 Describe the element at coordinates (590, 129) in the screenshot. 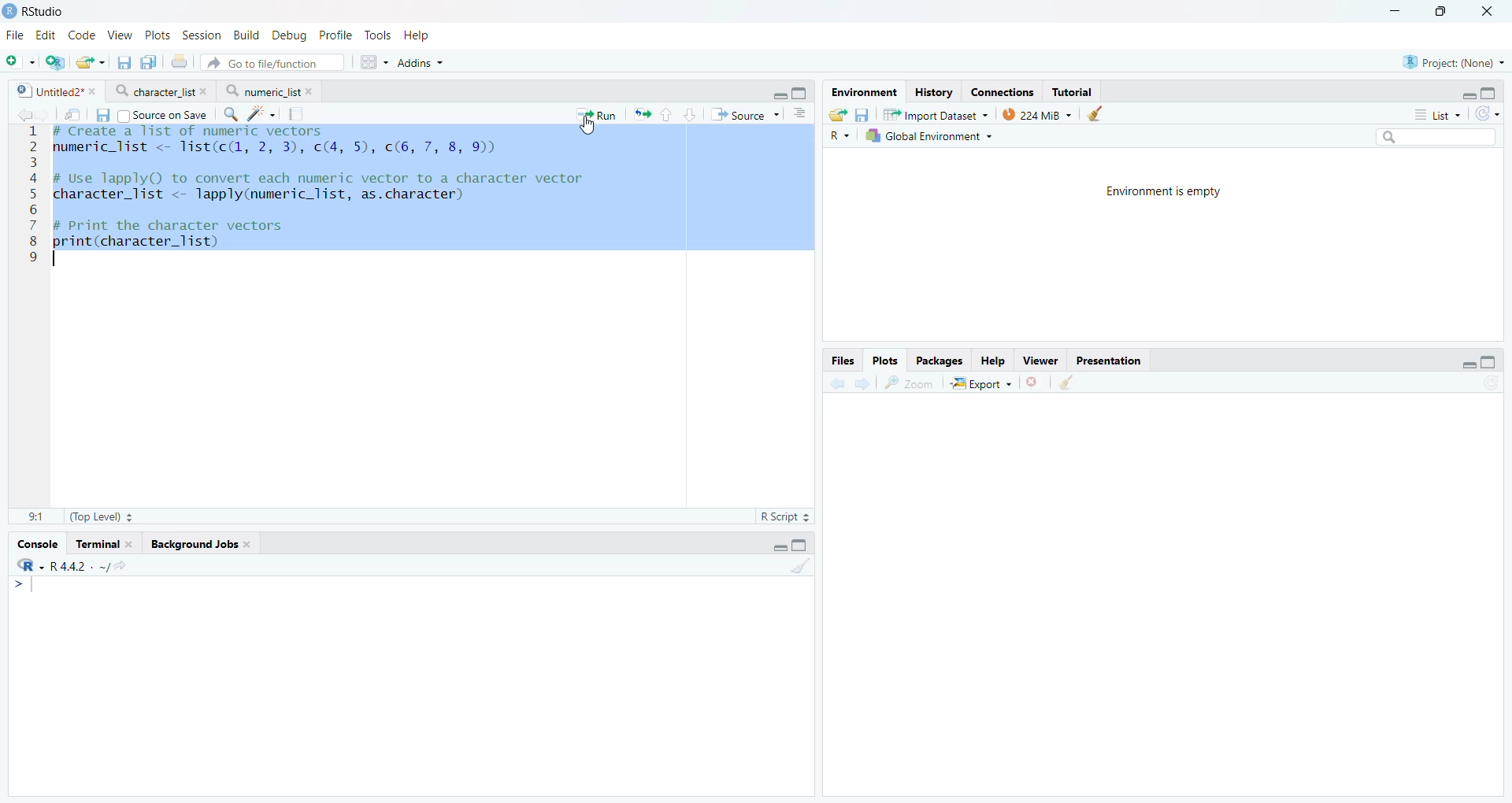

I see `Mouse Cursor` at that location.